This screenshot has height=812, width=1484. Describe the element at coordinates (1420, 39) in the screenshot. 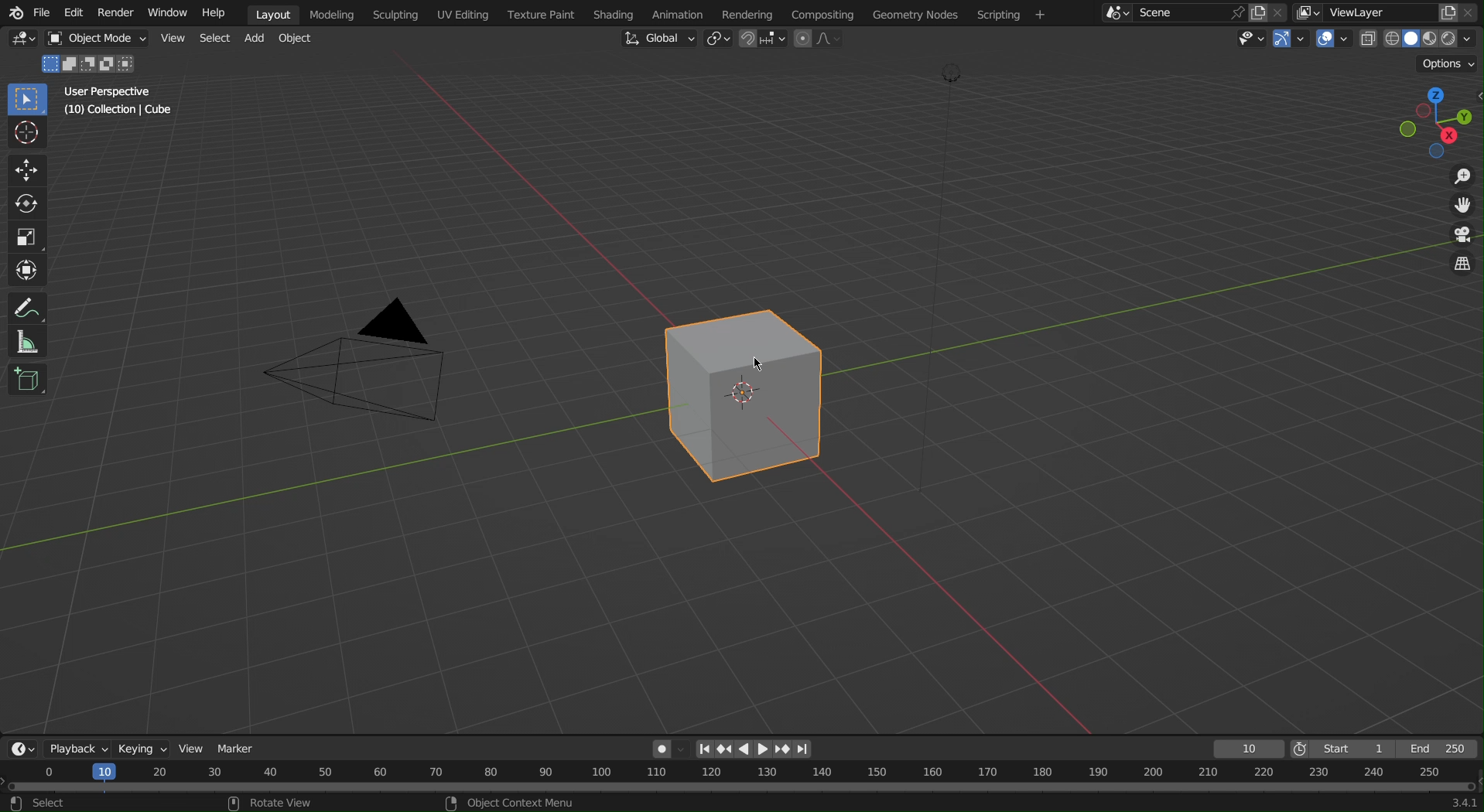

I see `Viewport Shading` at that location.